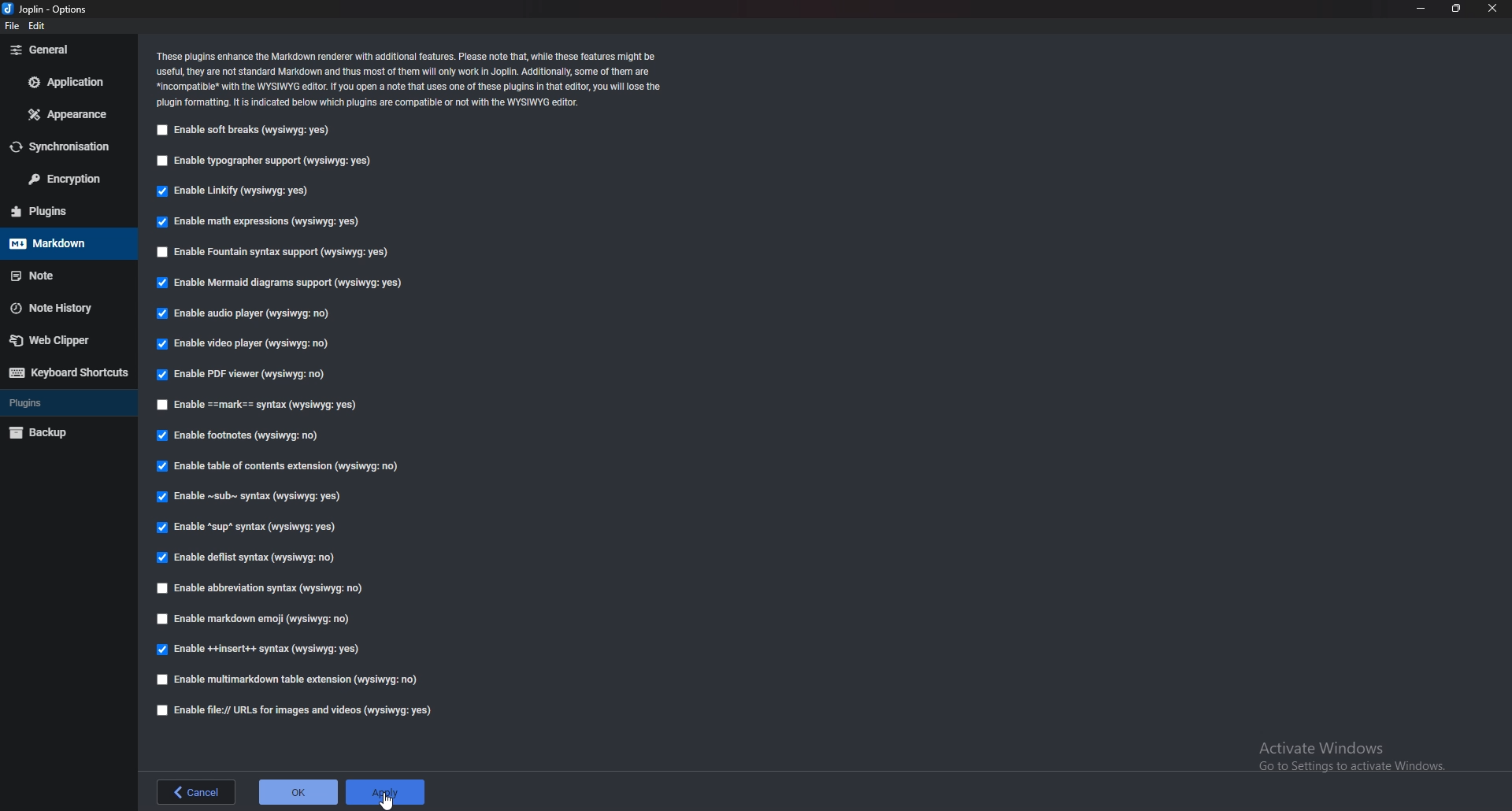 The width and height of the screenshot is (1512, 811). Describe the element at coordinates (66, 372) in the screenshot. I see `Keyboard shortcuts` at that location.